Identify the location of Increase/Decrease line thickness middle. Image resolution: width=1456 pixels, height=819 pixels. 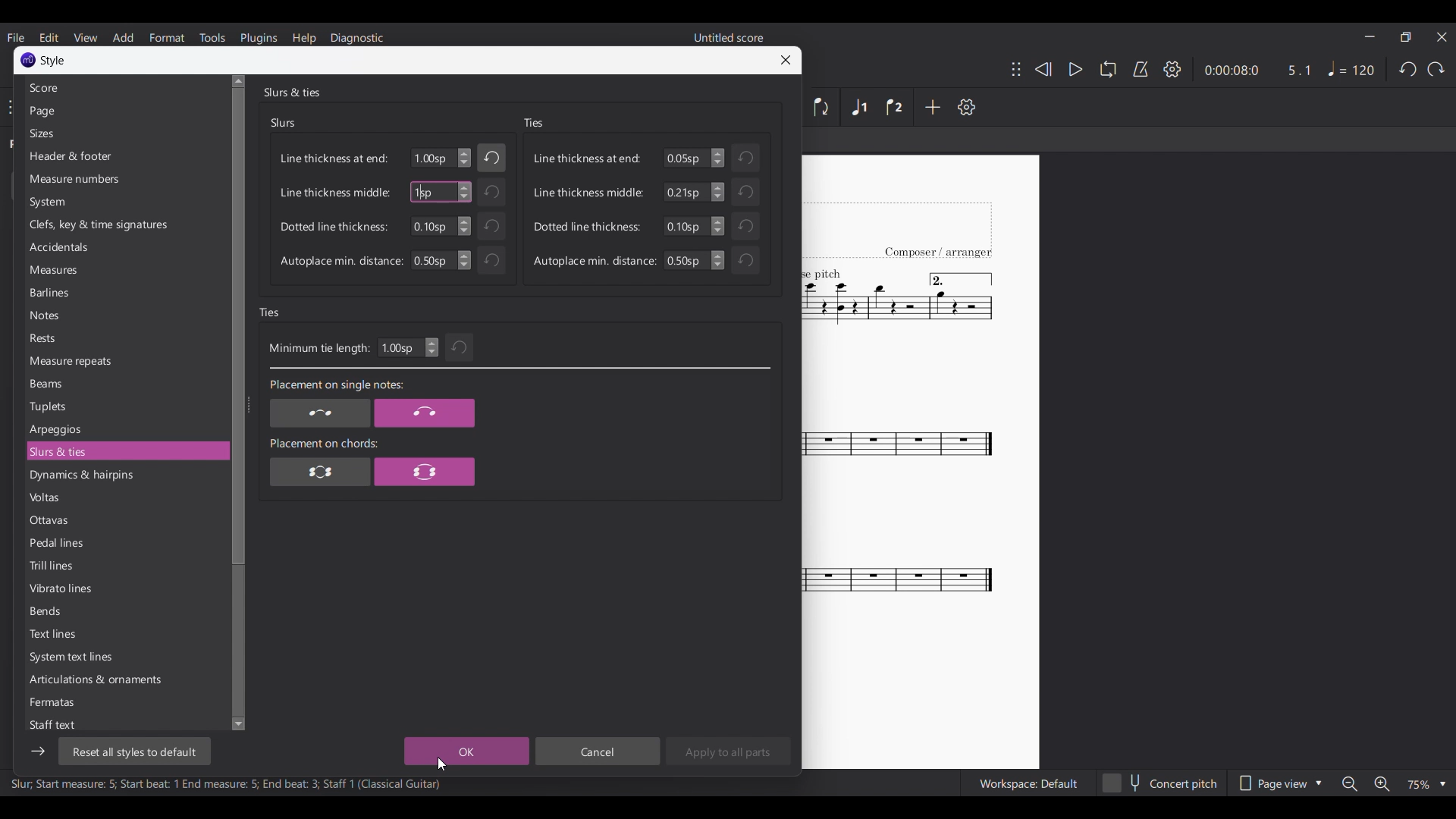
(464, 192).